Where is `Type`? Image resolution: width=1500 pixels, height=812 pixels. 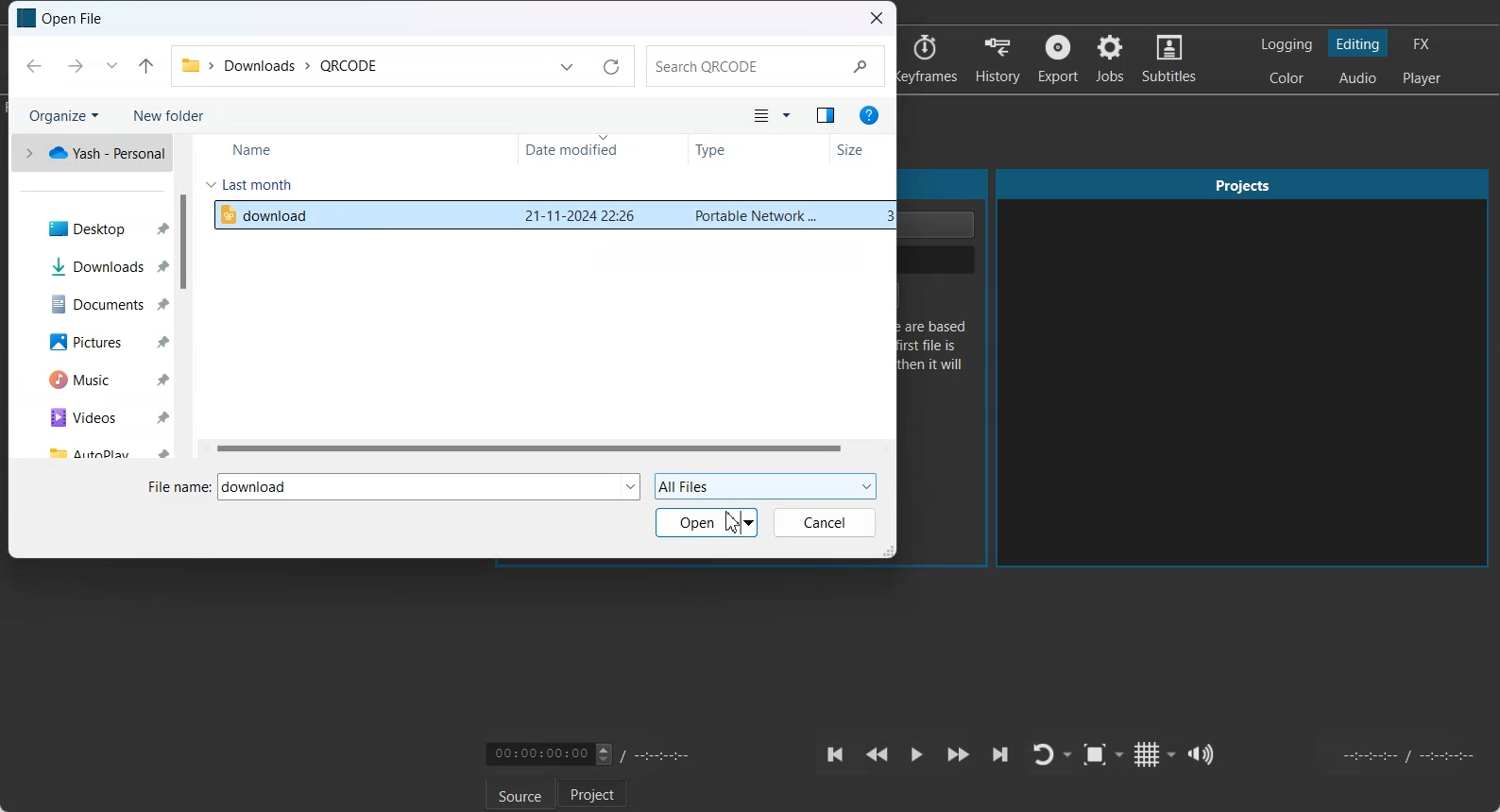
Type is located at coordinates (723, 151).